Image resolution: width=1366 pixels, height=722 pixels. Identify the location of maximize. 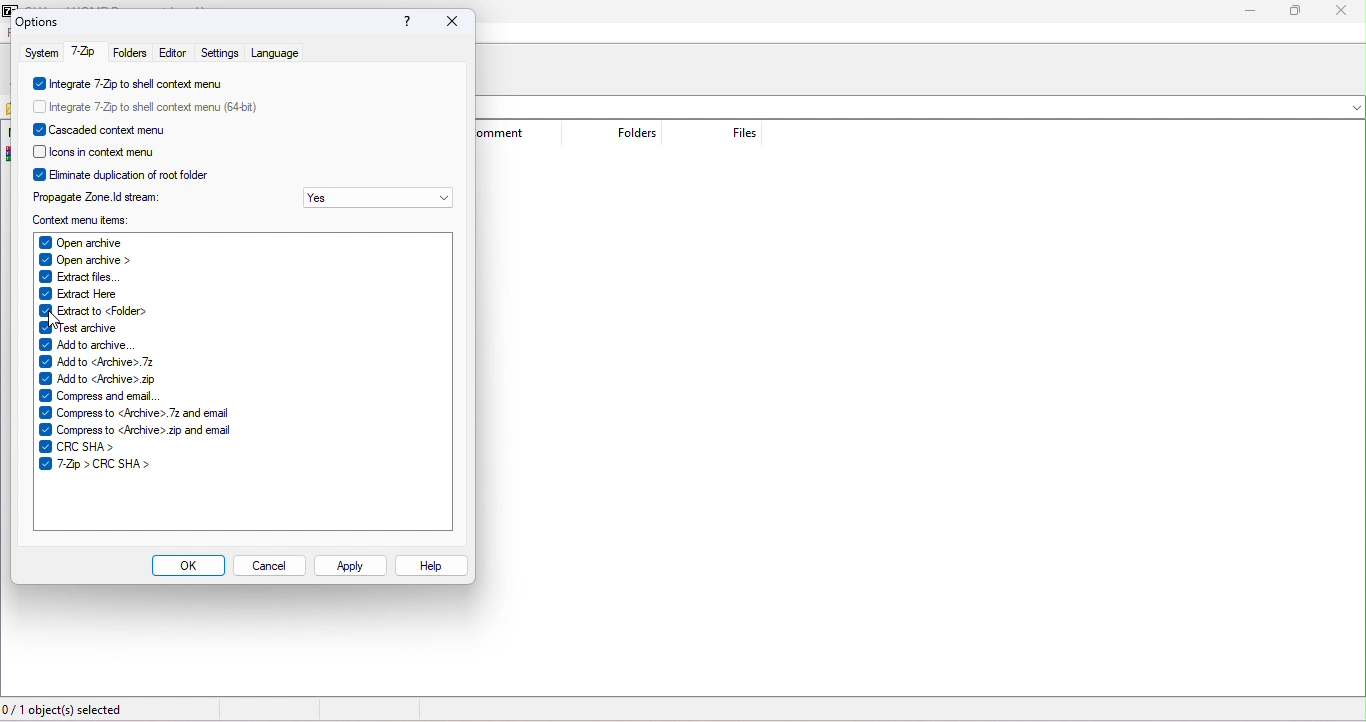
(1299, 12).